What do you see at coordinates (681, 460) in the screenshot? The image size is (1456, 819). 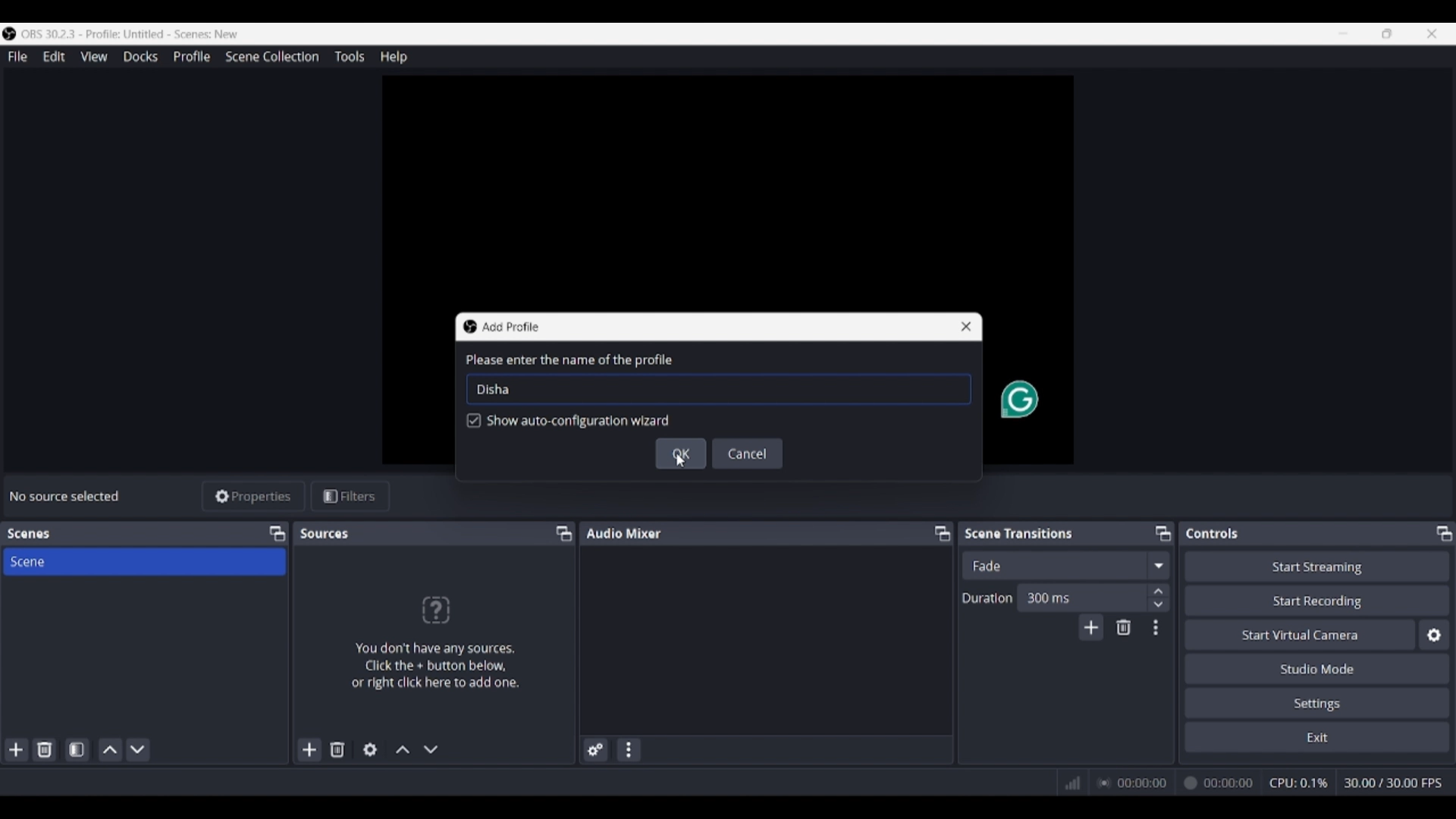 I see `Save inputs made` at bounding box center [681, 460].